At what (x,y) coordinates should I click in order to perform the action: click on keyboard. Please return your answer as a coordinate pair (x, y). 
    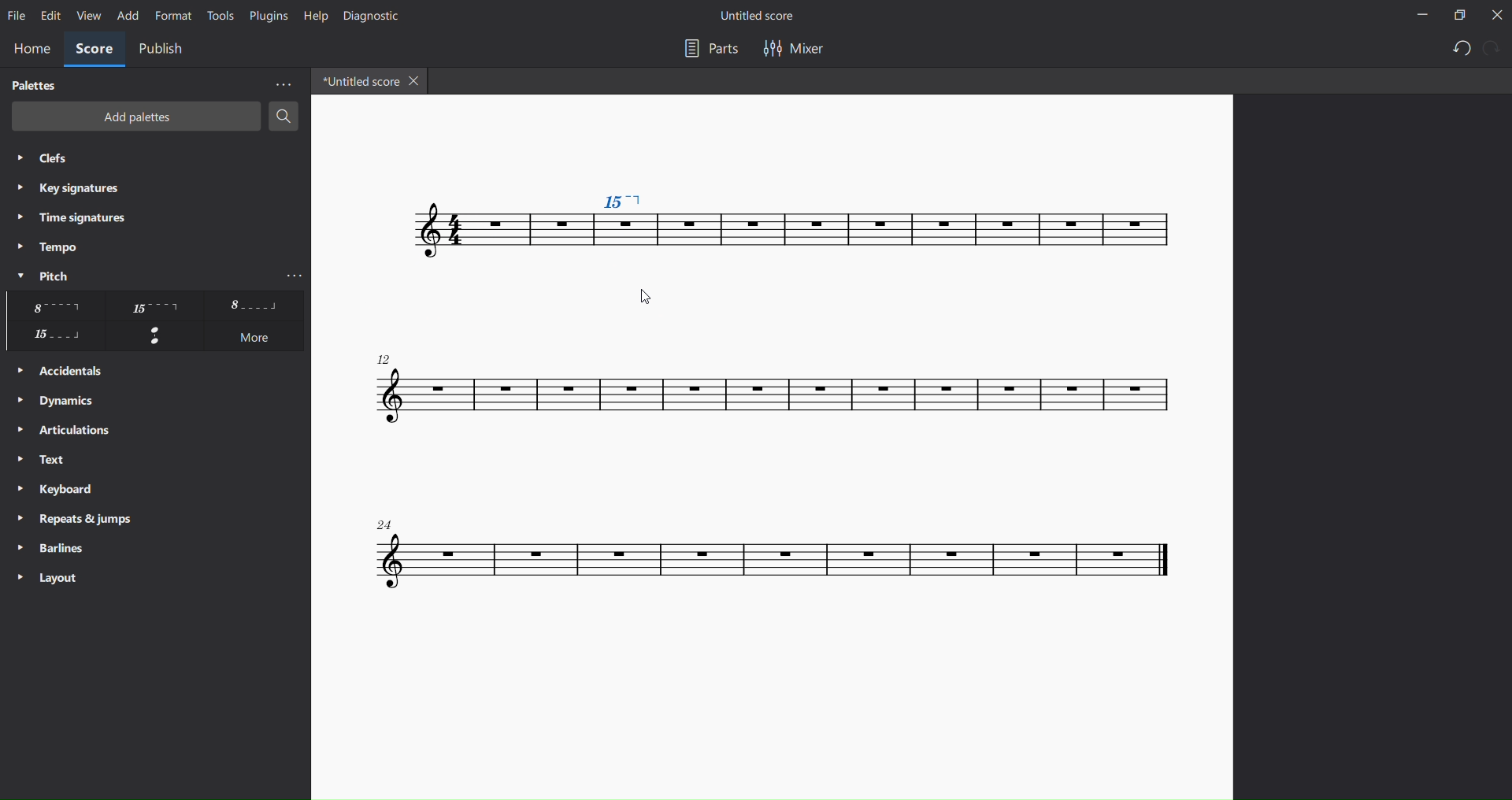
    Looking at the image, I should click on (60, 491).